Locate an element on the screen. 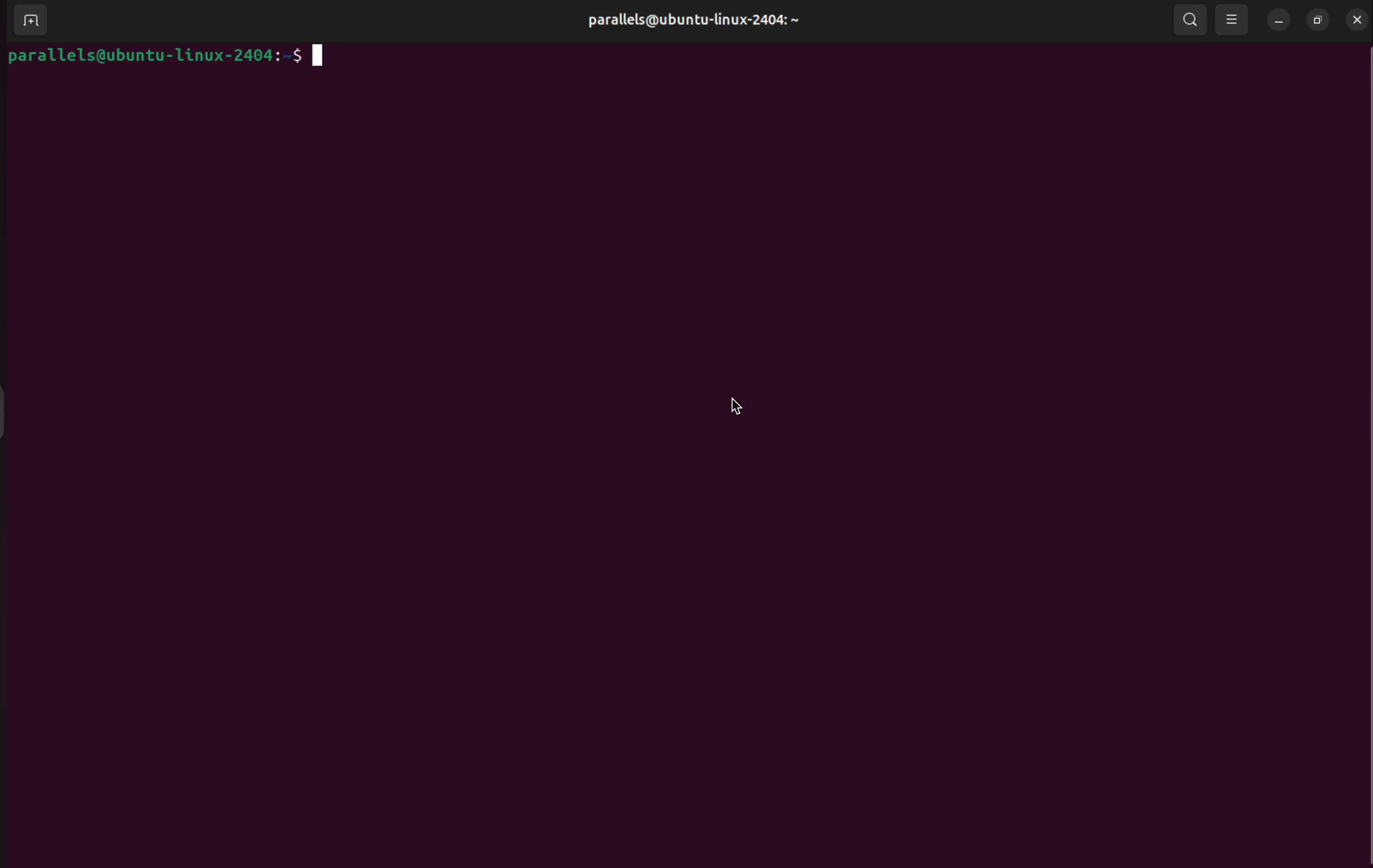 The width and height of the screenshot is (1373, 868). bash prompt is located at coordinates (163, 57).